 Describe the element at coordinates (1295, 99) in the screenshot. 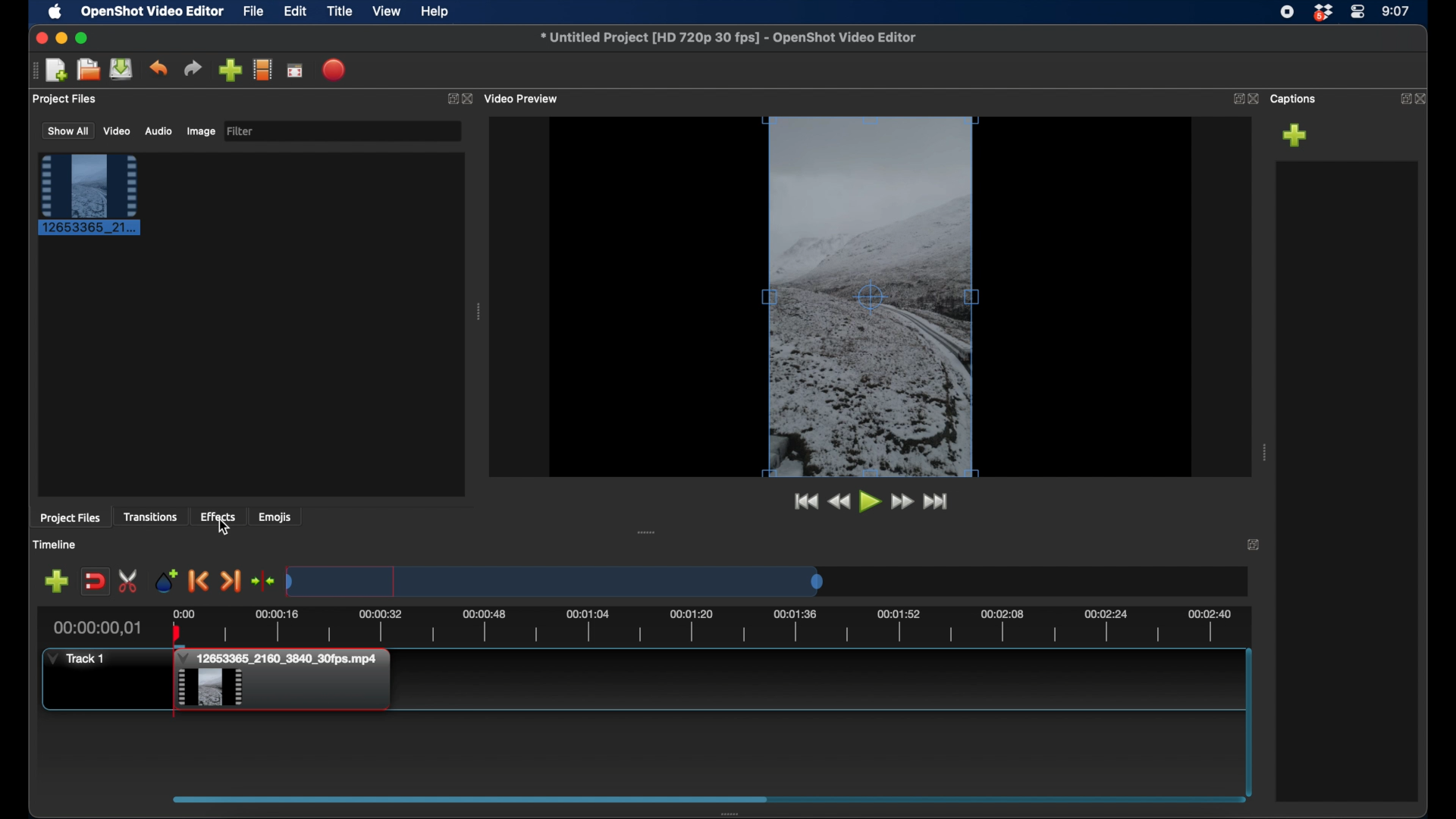

I see `captions` at that location.